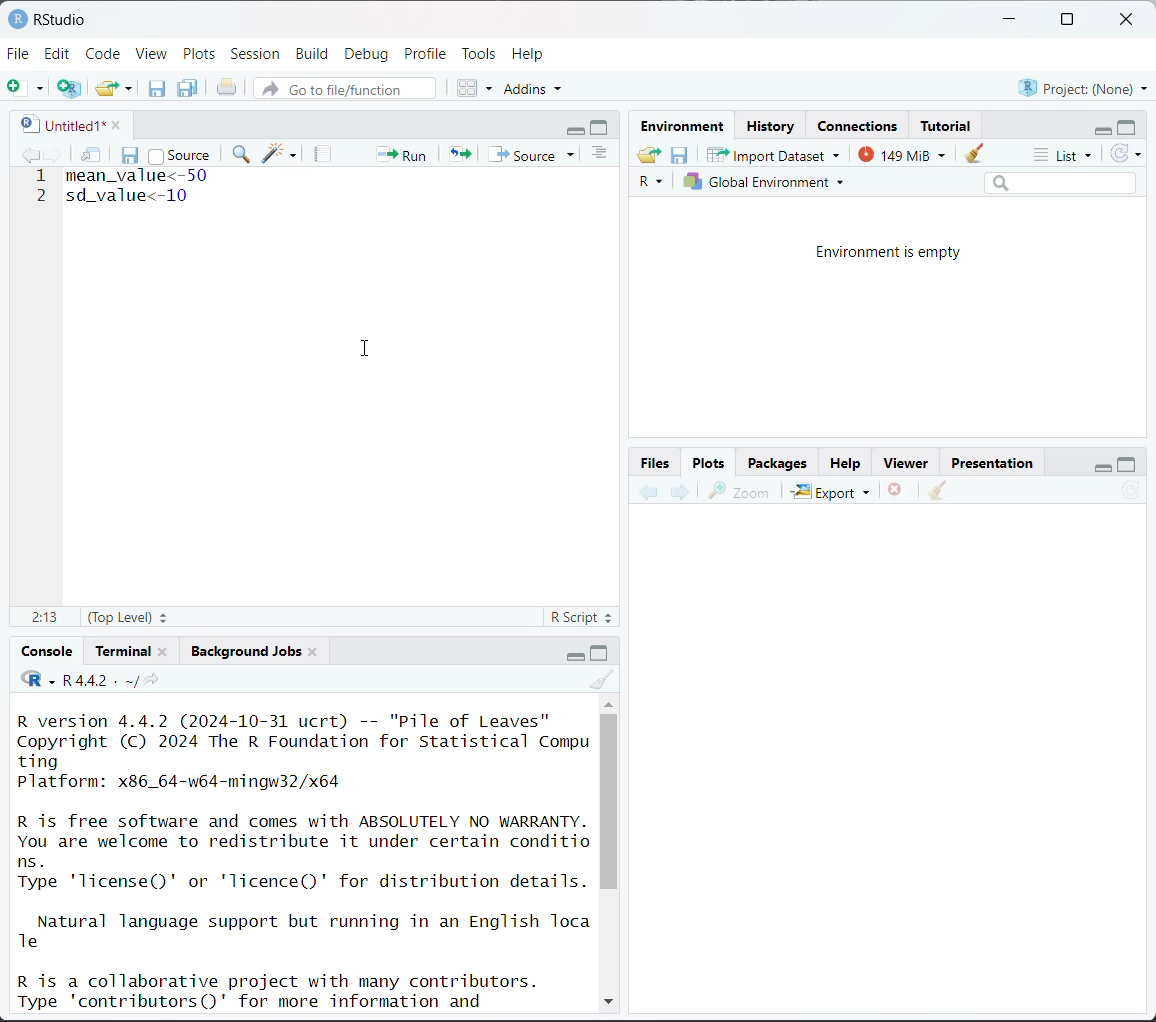 The image size is (1156, 1022). I want to click on addins, so click(536, 88).